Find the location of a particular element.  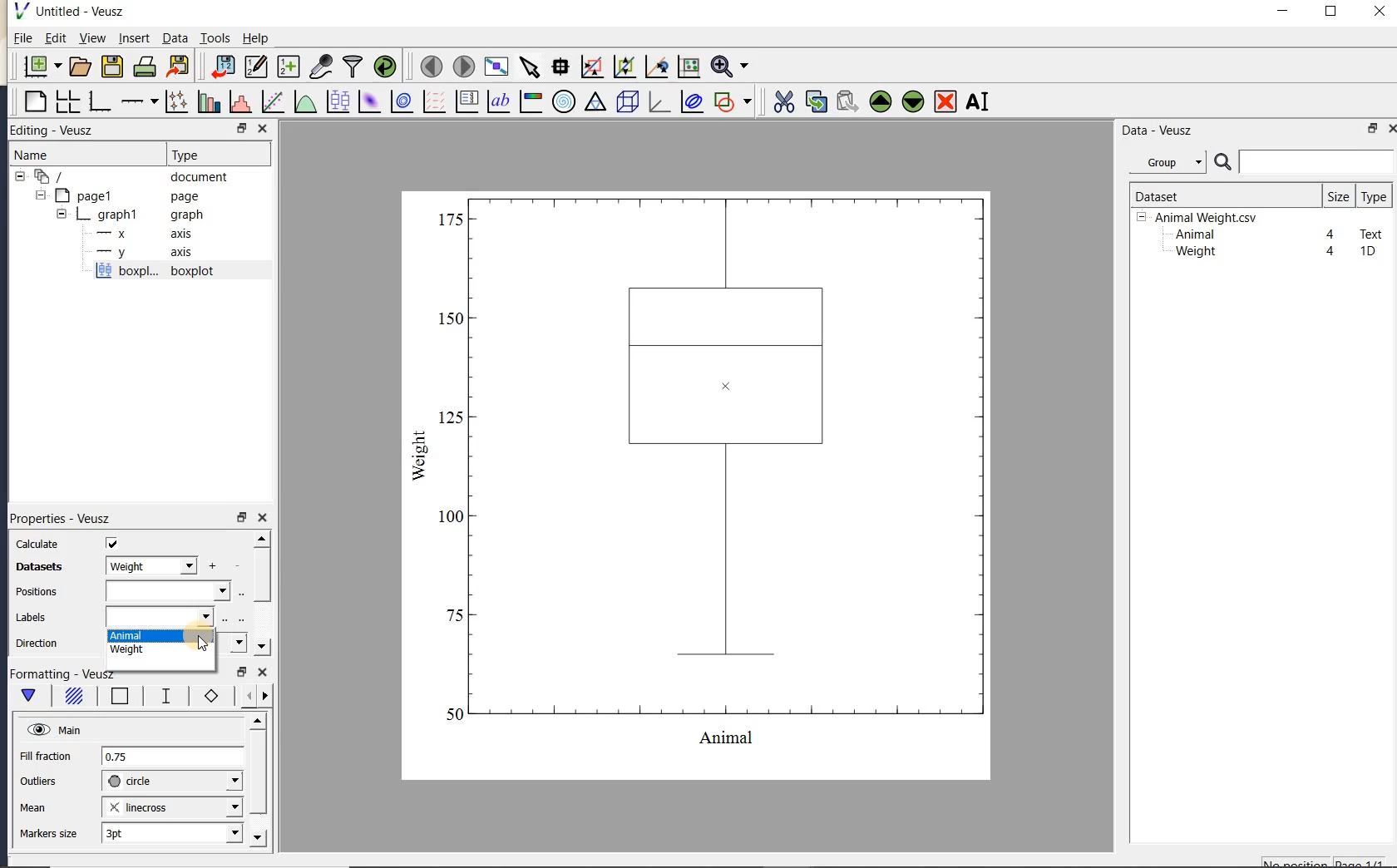

view plot full screen is located at coordinates (496, 67).